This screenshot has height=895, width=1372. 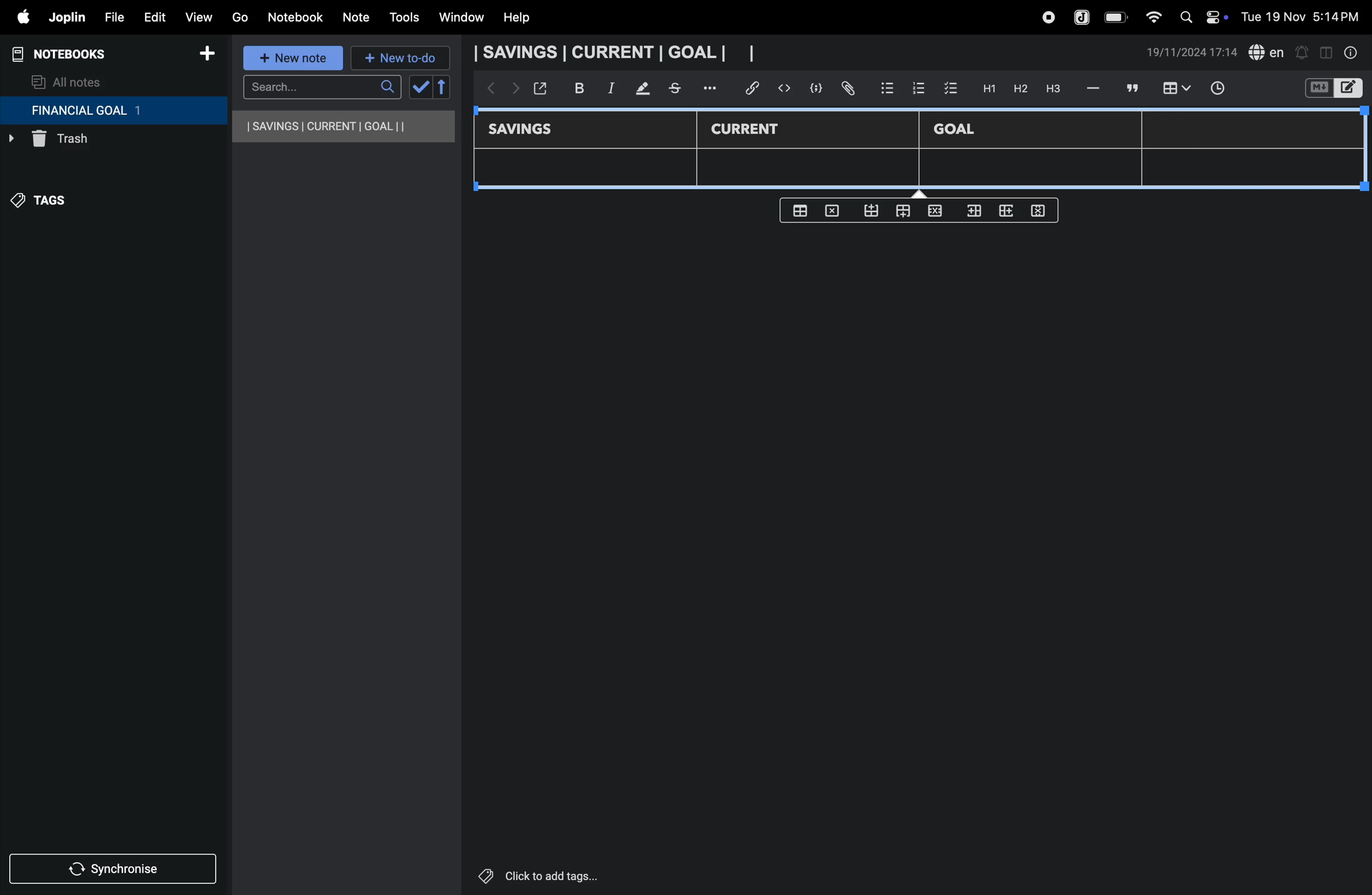 What do you see at coordinates (69, 54) in the screenshot?
I see `notebooks` at bounding box center [69, 54].